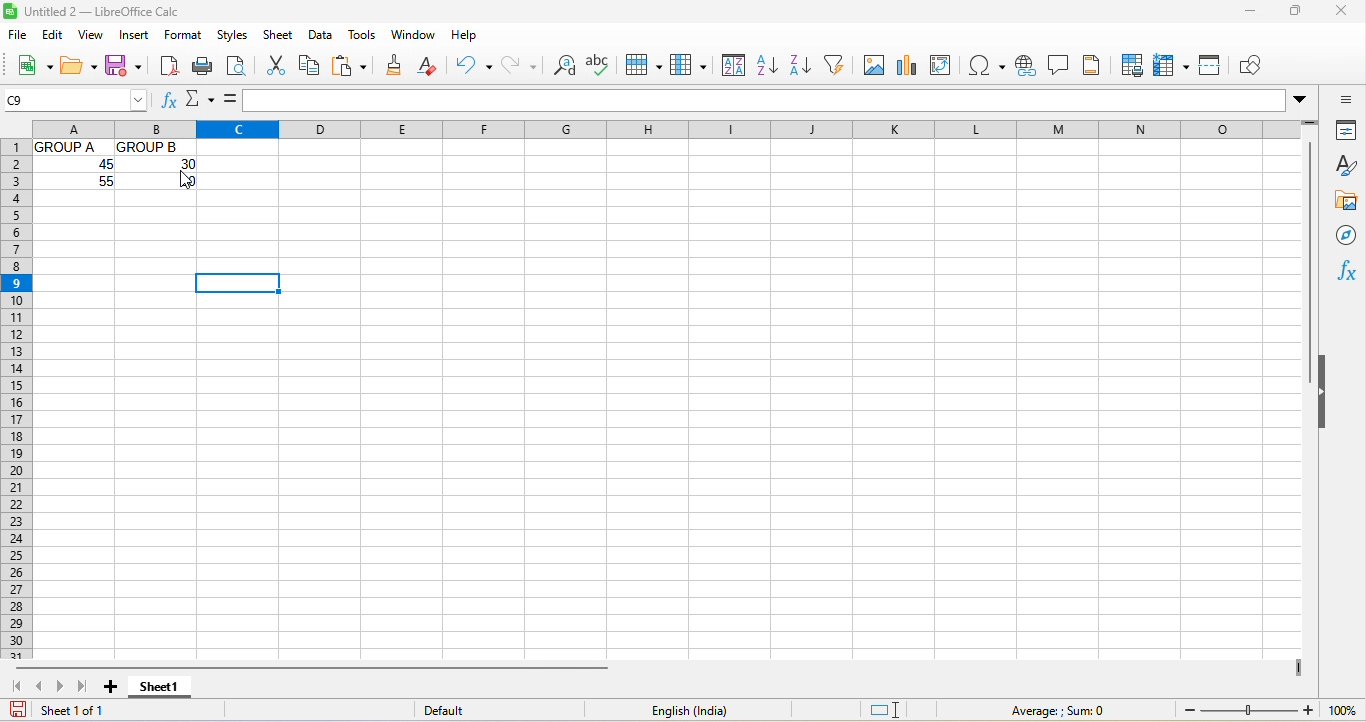 This screenshot has height=722, width=1366. What do you see at coordinates (688, 65) in the screenshot?
I see `column` at bounding box center [688, 65].